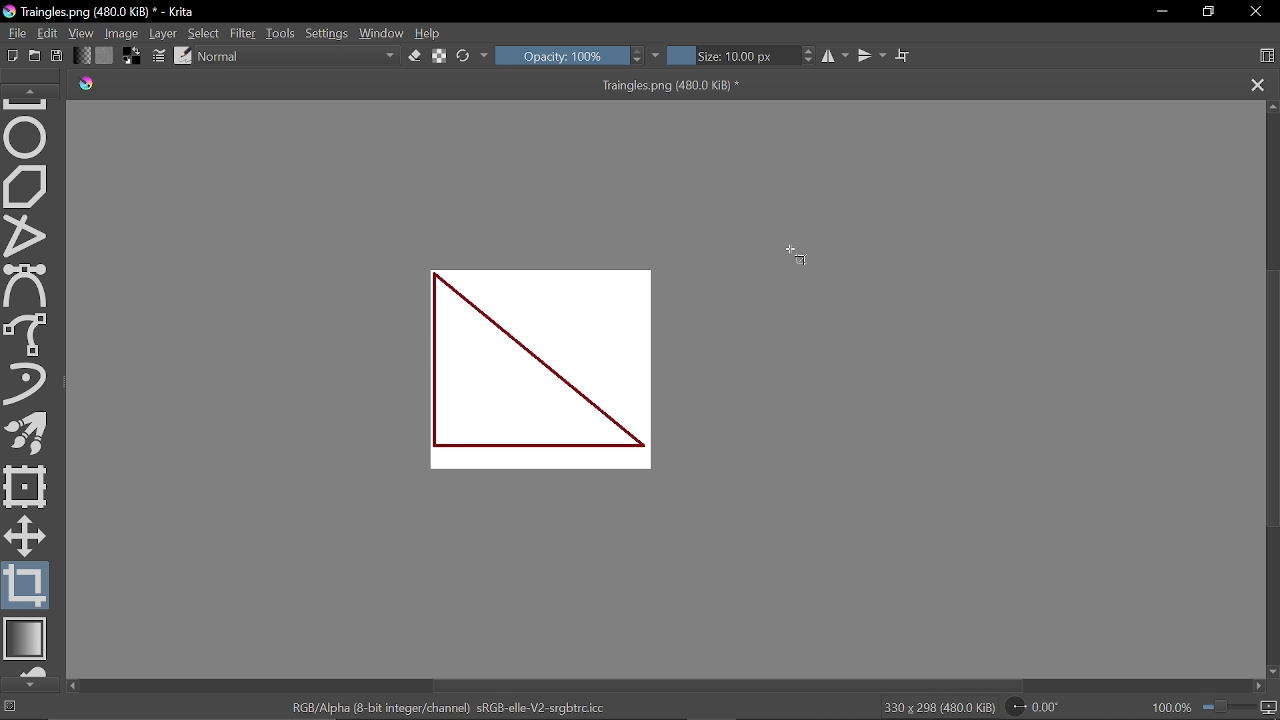 This screenshot has width=1280, height=720. What do you see at coordinates (28, 640) in the screenshot?
I see `Draw gradient tool` at bounding box center [28, 640].